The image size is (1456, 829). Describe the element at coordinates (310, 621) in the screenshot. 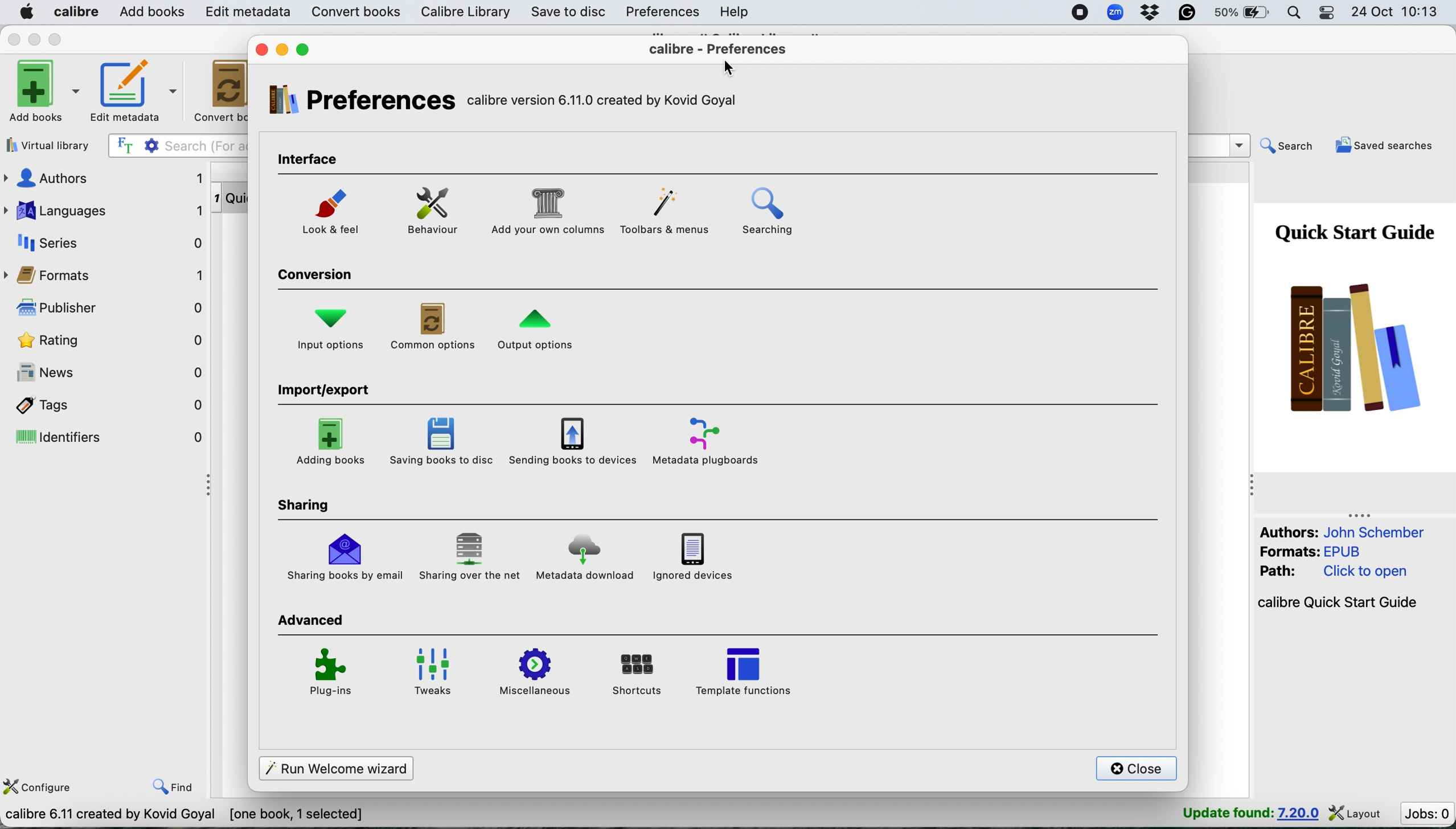

I see `advanced` at that location.